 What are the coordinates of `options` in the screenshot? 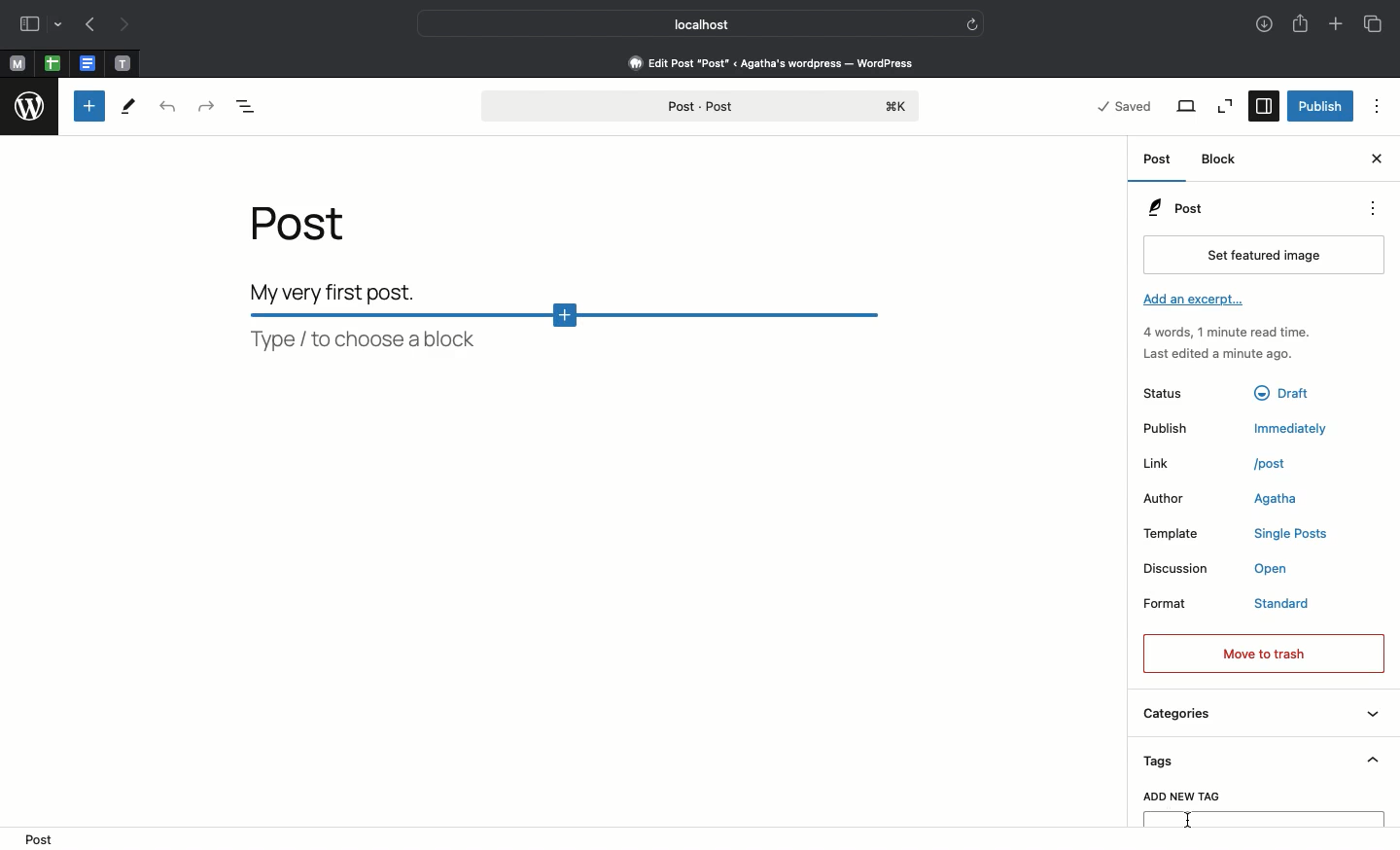 It's located at (1372, 208).